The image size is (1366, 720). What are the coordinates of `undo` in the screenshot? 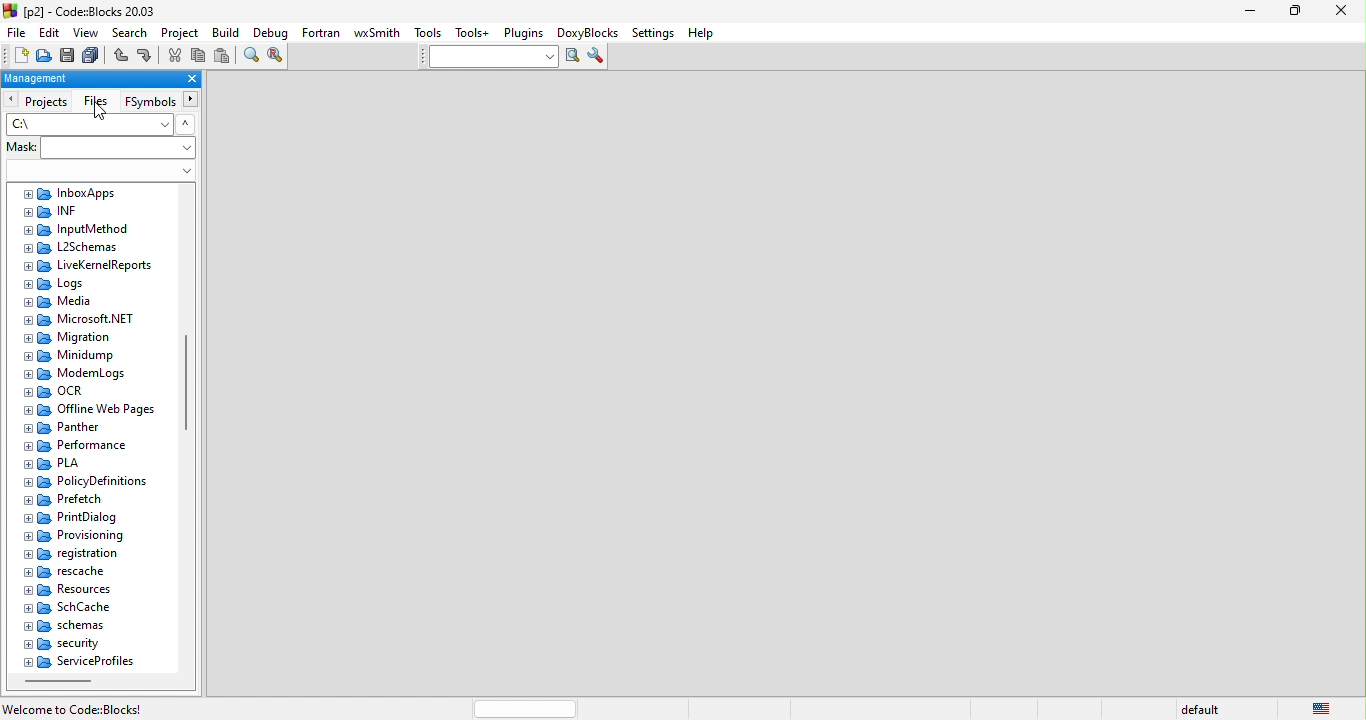 It's located at (120, 55).